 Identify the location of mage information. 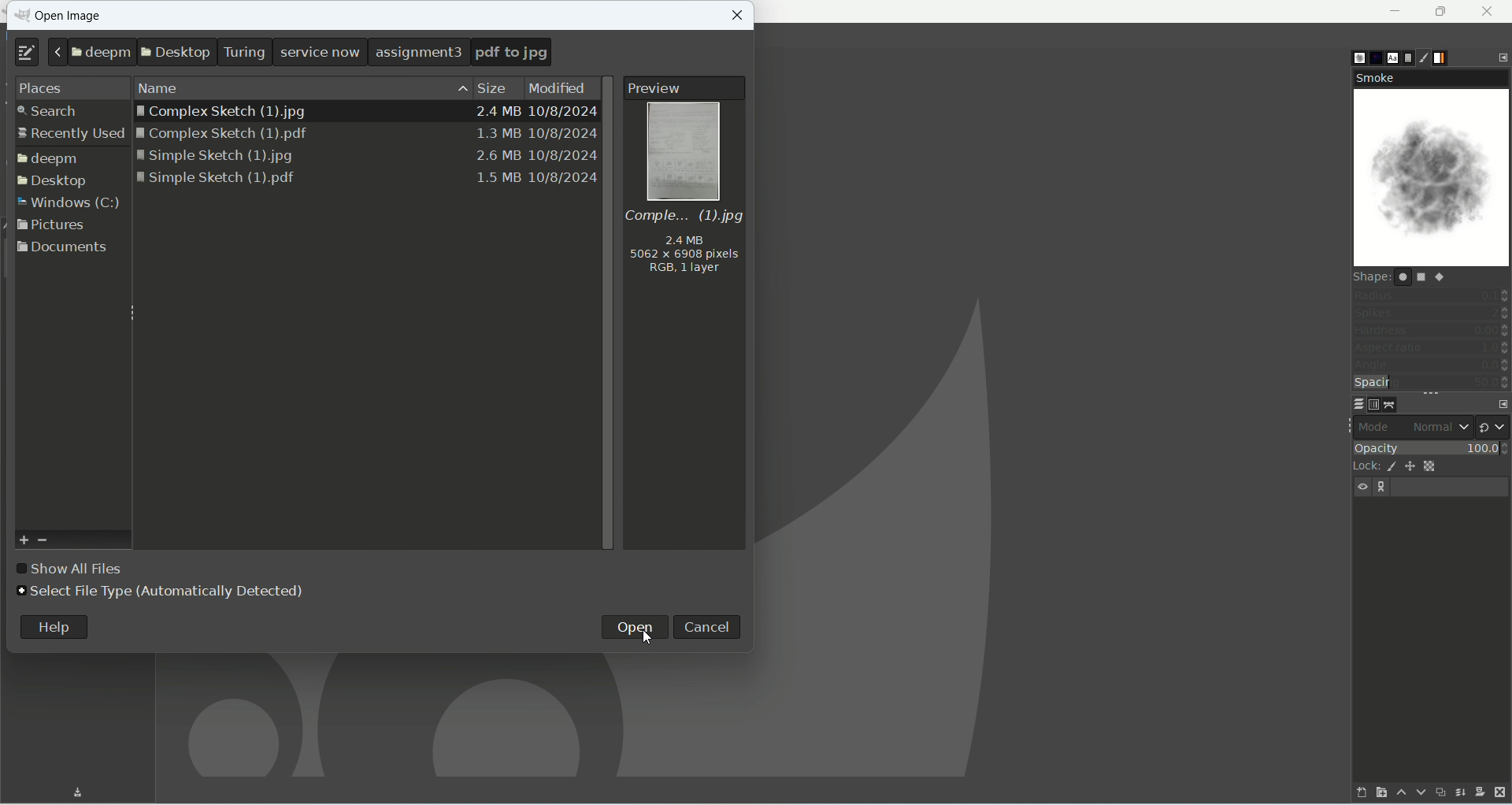
(683, 247).